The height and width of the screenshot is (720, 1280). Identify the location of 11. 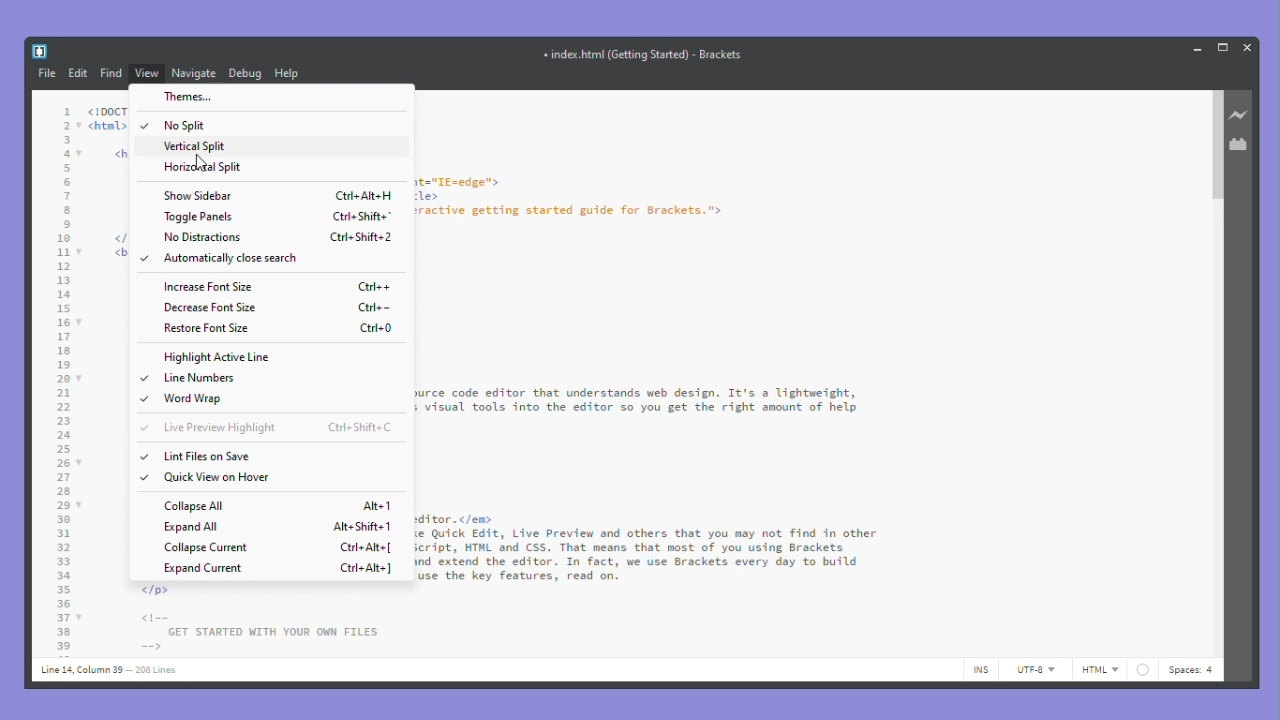
(63, 253).